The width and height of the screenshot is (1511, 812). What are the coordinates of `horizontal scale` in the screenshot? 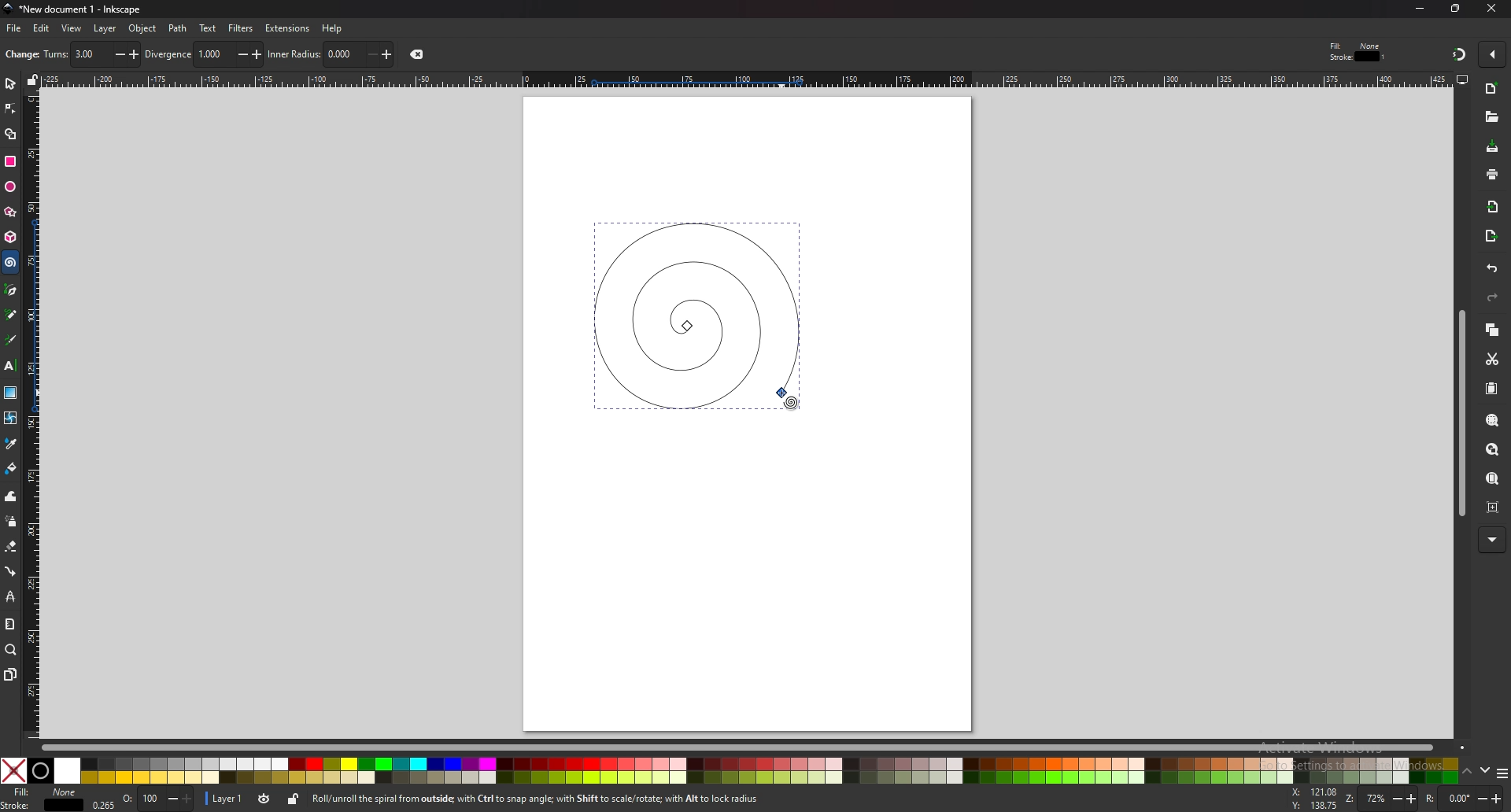 It's located at (744, 79).